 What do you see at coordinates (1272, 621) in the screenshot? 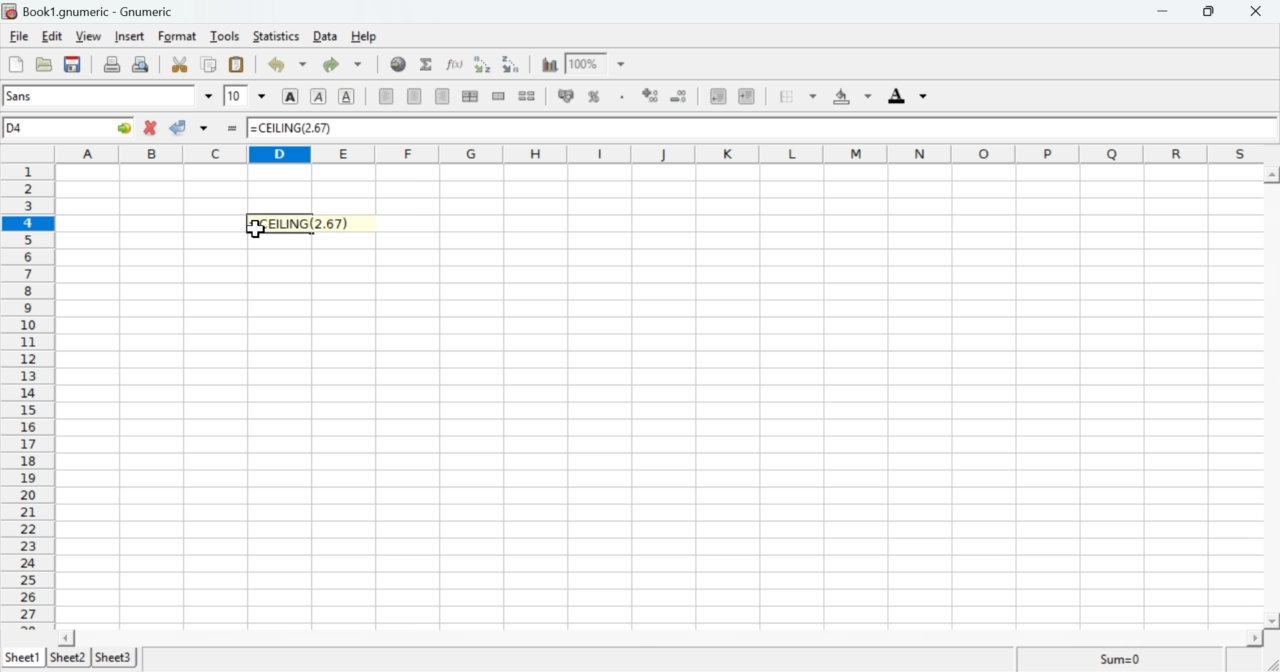
I see `scroll down` at bounding box center [1272, 621].